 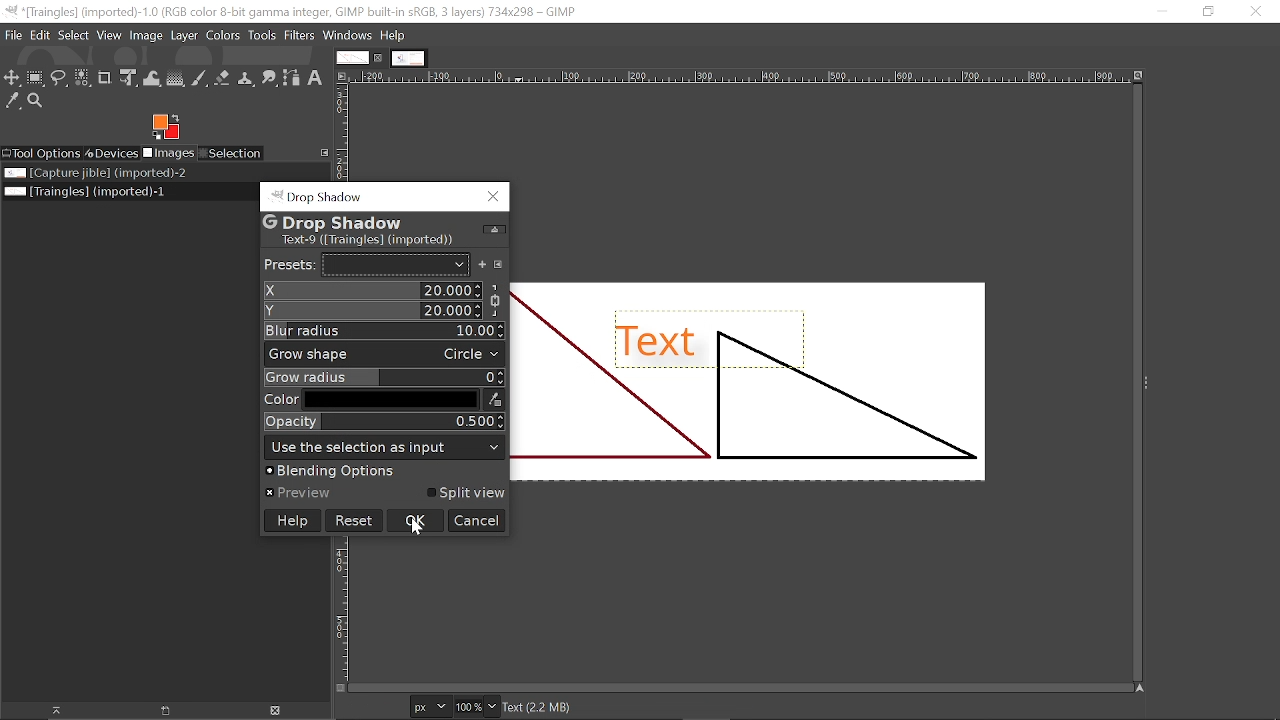 I want to click on Delete Image, so click(x=274, y=710).